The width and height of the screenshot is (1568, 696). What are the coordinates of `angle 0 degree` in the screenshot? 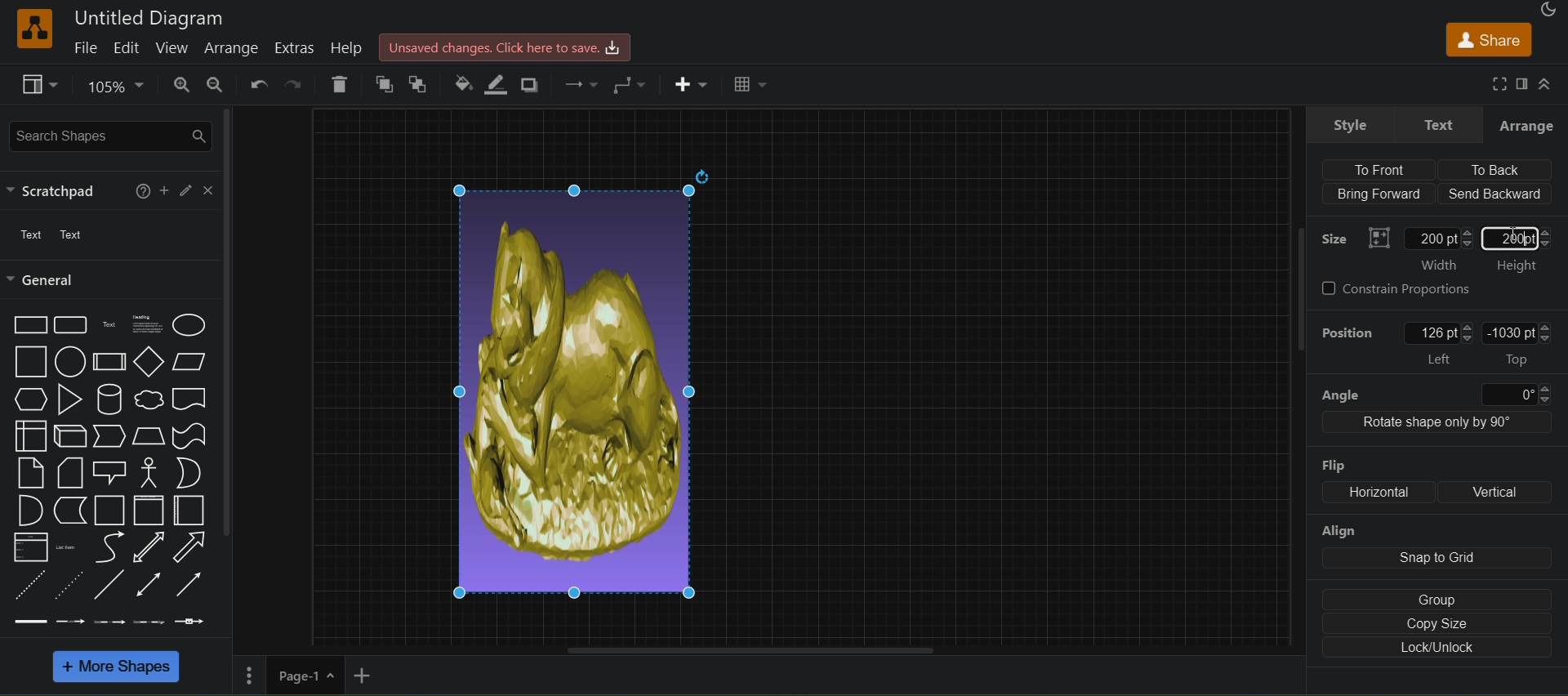 It's located at (1434, 392).